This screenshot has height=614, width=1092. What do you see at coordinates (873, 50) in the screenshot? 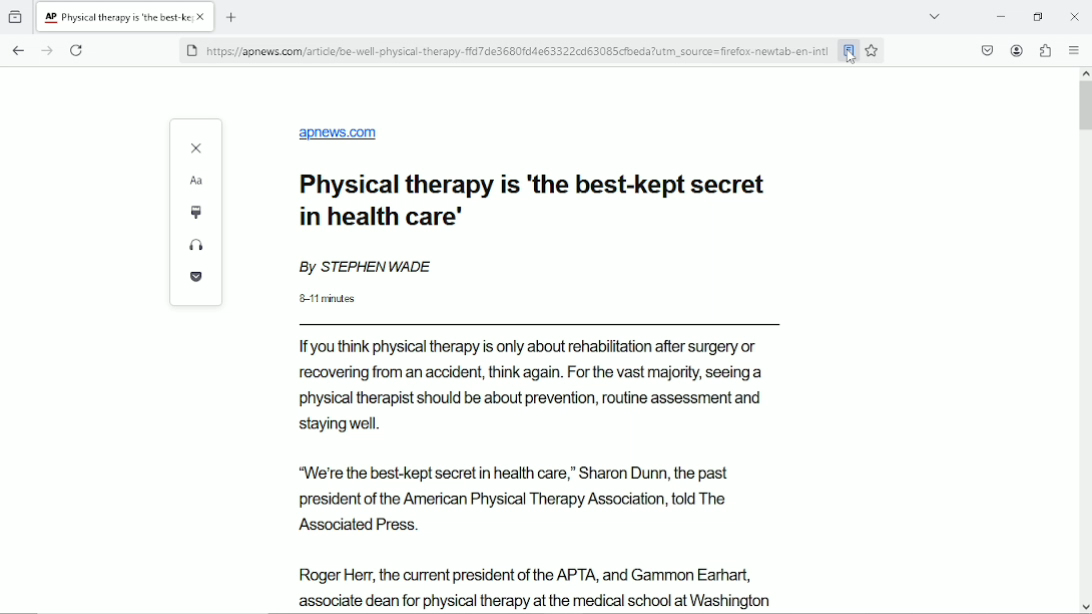
I see `bookmark this page` at bounding box center [873, 50].